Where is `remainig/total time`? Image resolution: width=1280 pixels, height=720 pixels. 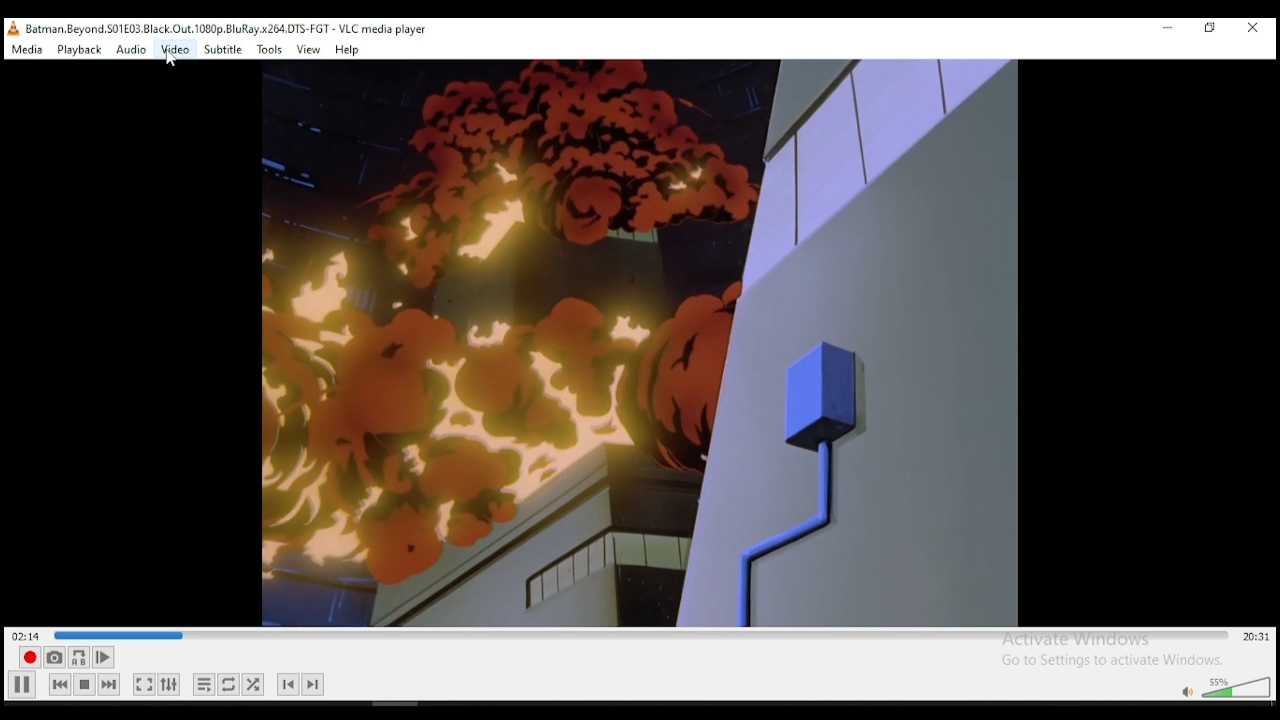
remainig/total time is located at coordinates (1252, 638).